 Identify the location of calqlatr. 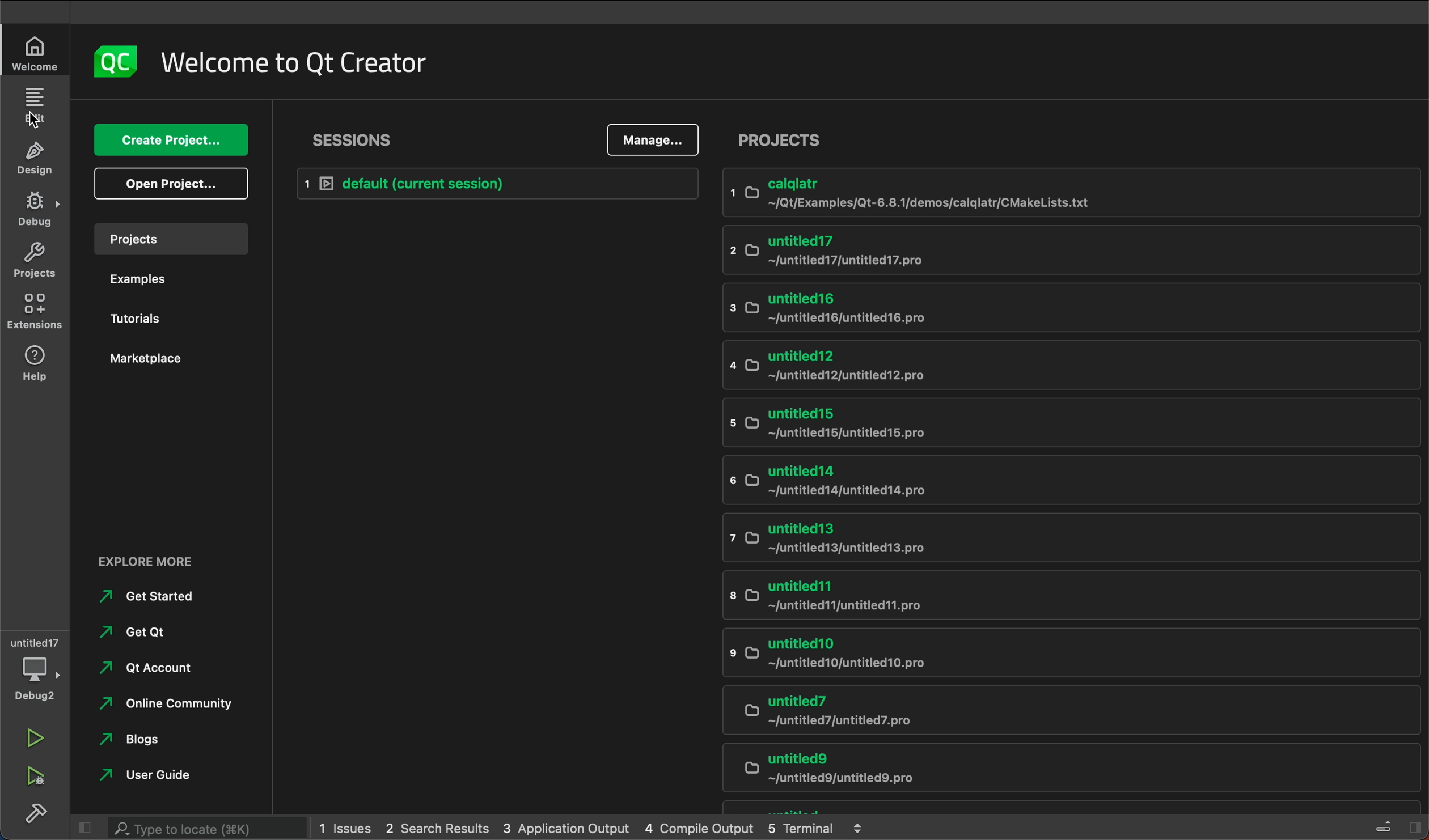
(1066, 192).